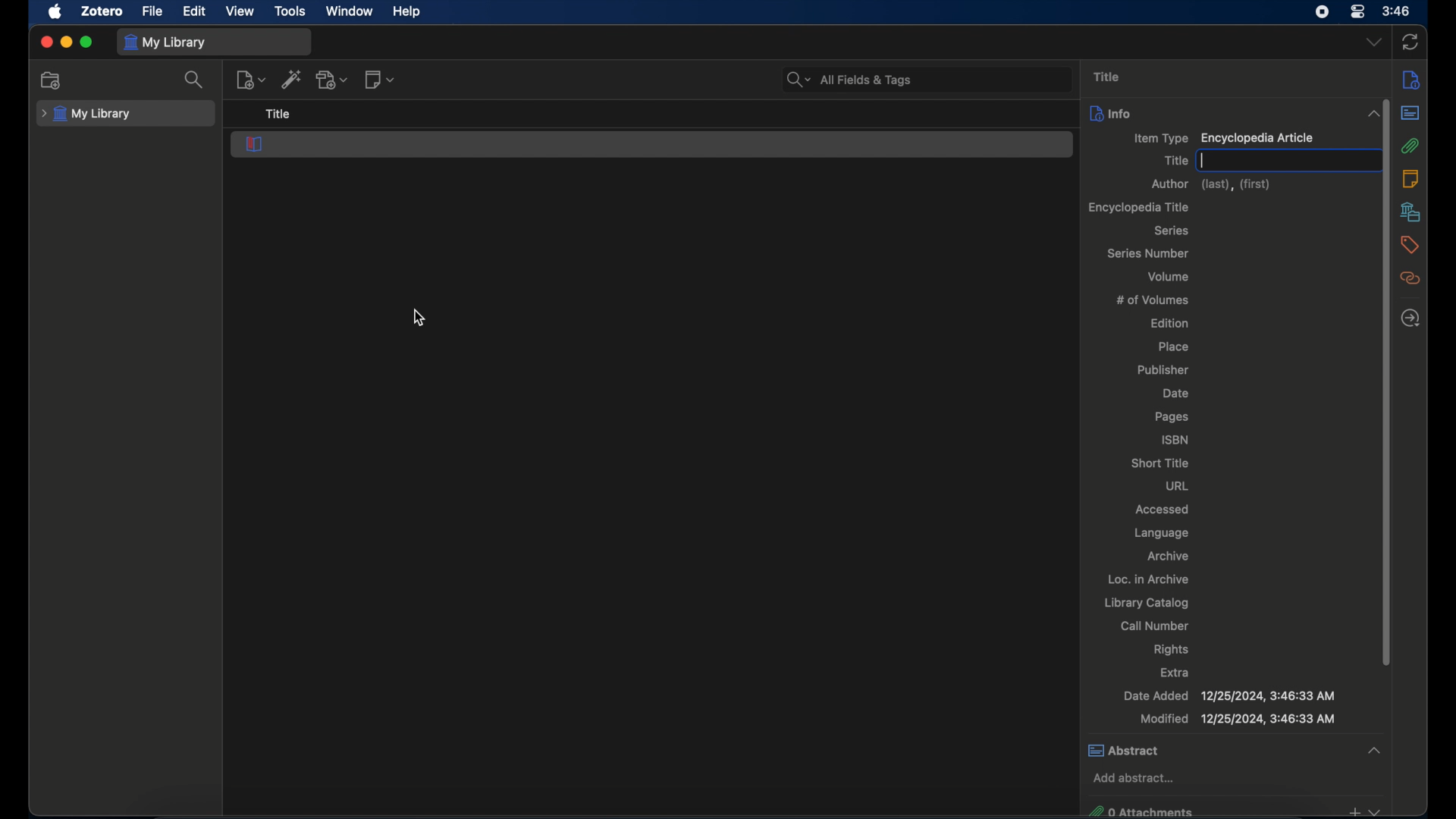  Describe the element at coordinates (65, 42) in the screenshot. I see `minimize` at that location.